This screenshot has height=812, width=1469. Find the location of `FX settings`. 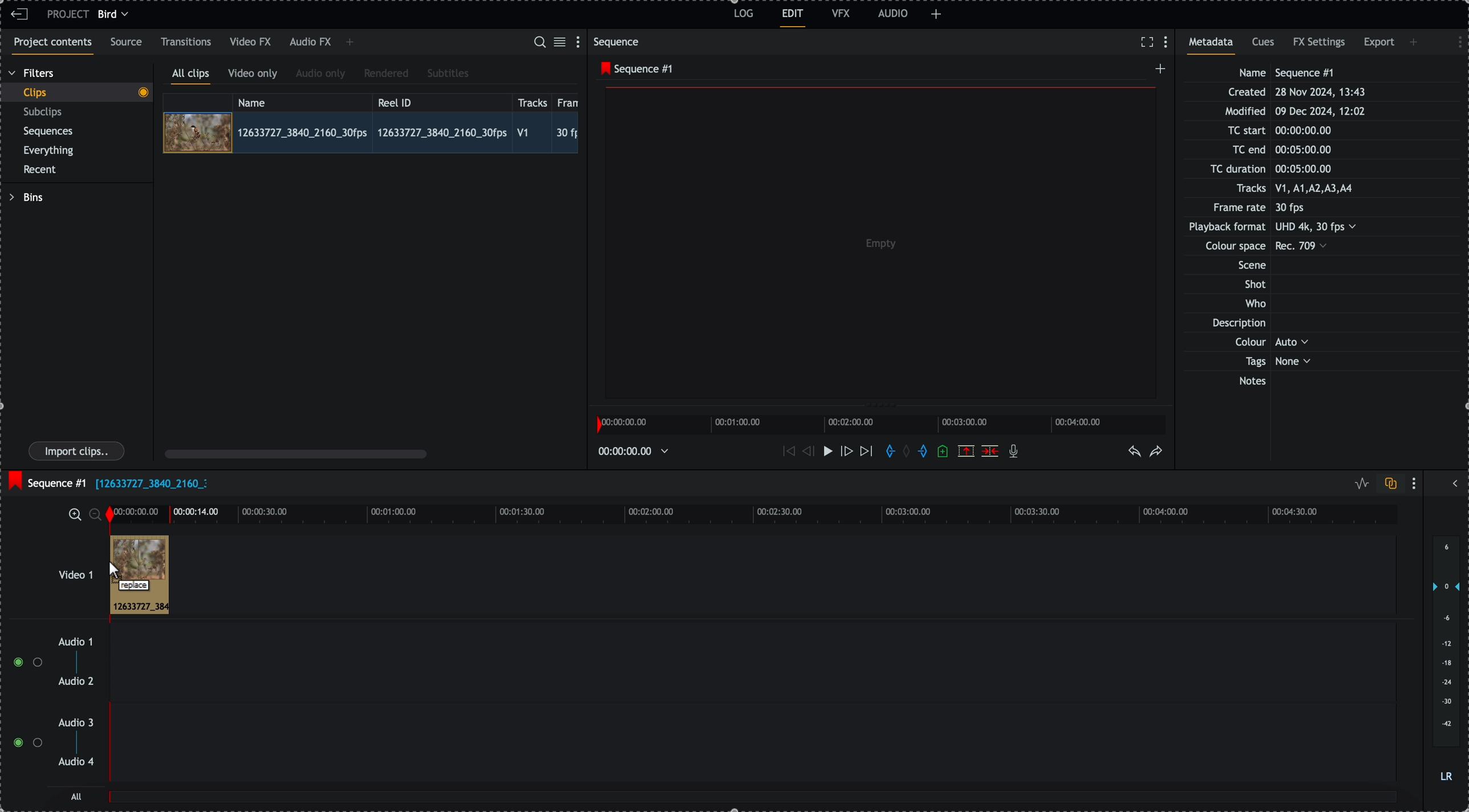

FX settings is located at coordinates (1320, 44).